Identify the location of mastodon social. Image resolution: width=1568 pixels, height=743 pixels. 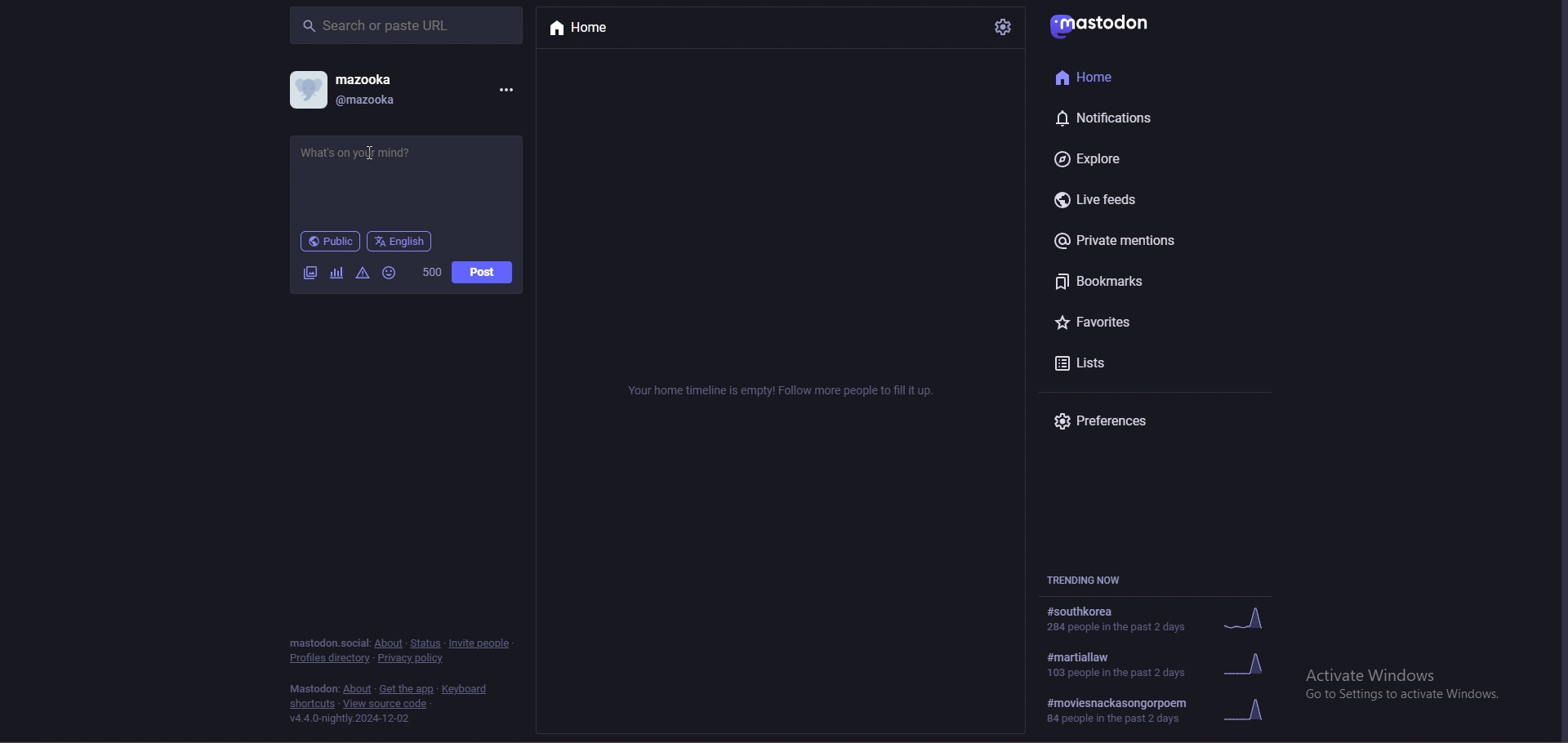
(327, 643).